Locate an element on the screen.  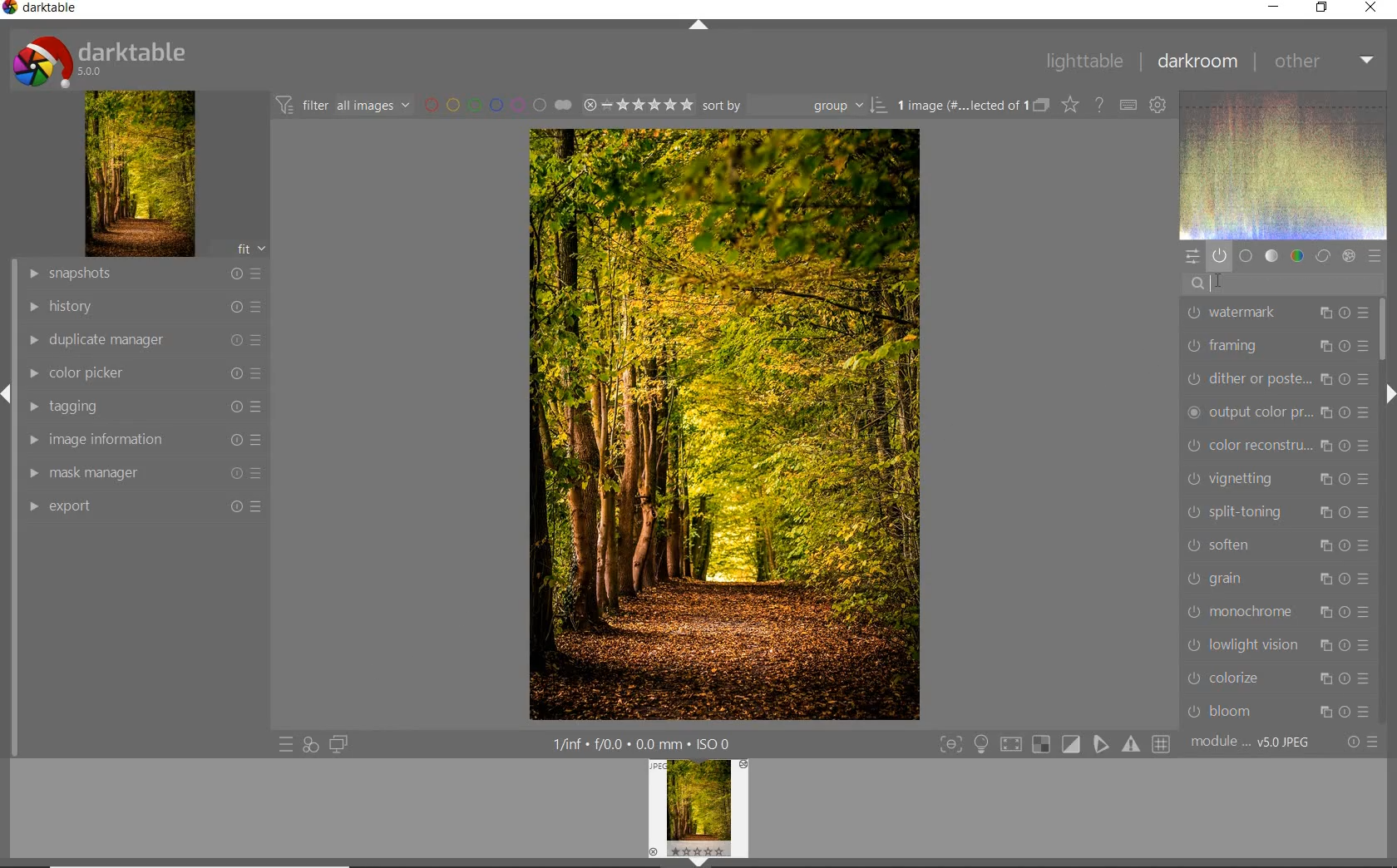
quick access for applying any style is located at coordinates (311, 745).